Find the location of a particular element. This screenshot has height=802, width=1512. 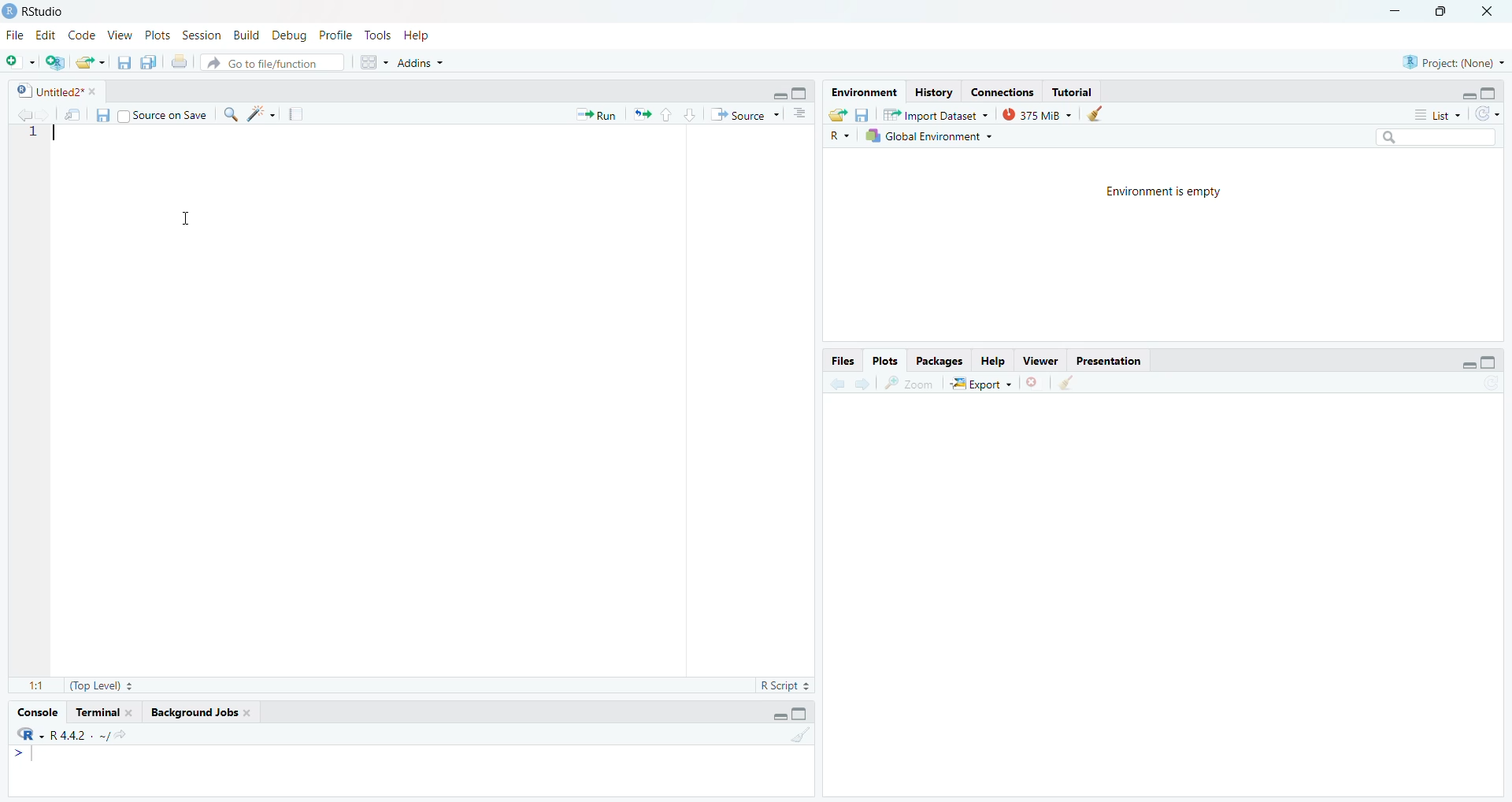

 Go to file/function is located at coordinates (275, 61).